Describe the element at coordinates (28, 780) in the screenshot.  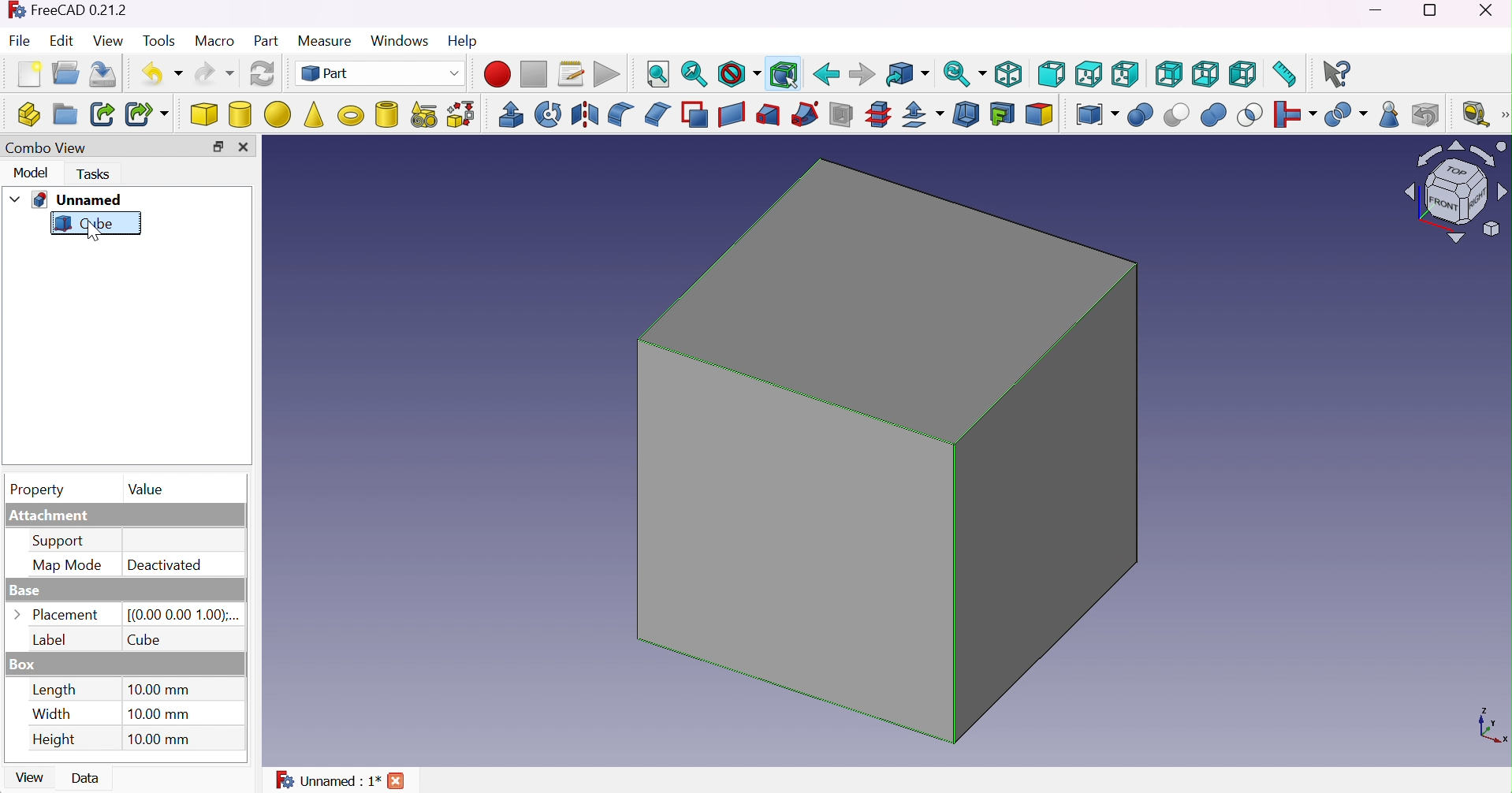
I see `View` at that location.